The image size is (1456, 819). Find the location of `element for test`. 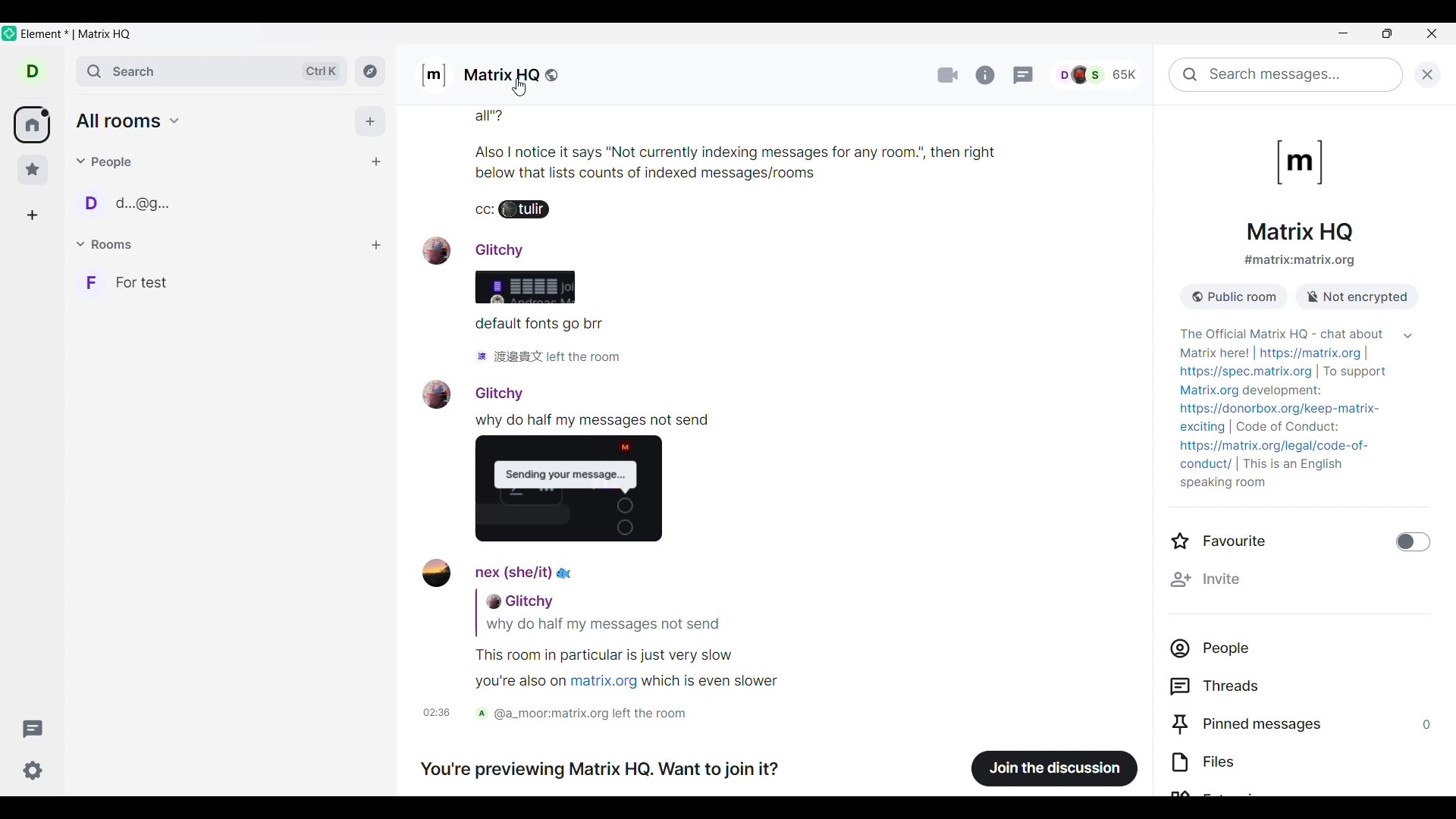

element for test is located at coordinates (78, 35).